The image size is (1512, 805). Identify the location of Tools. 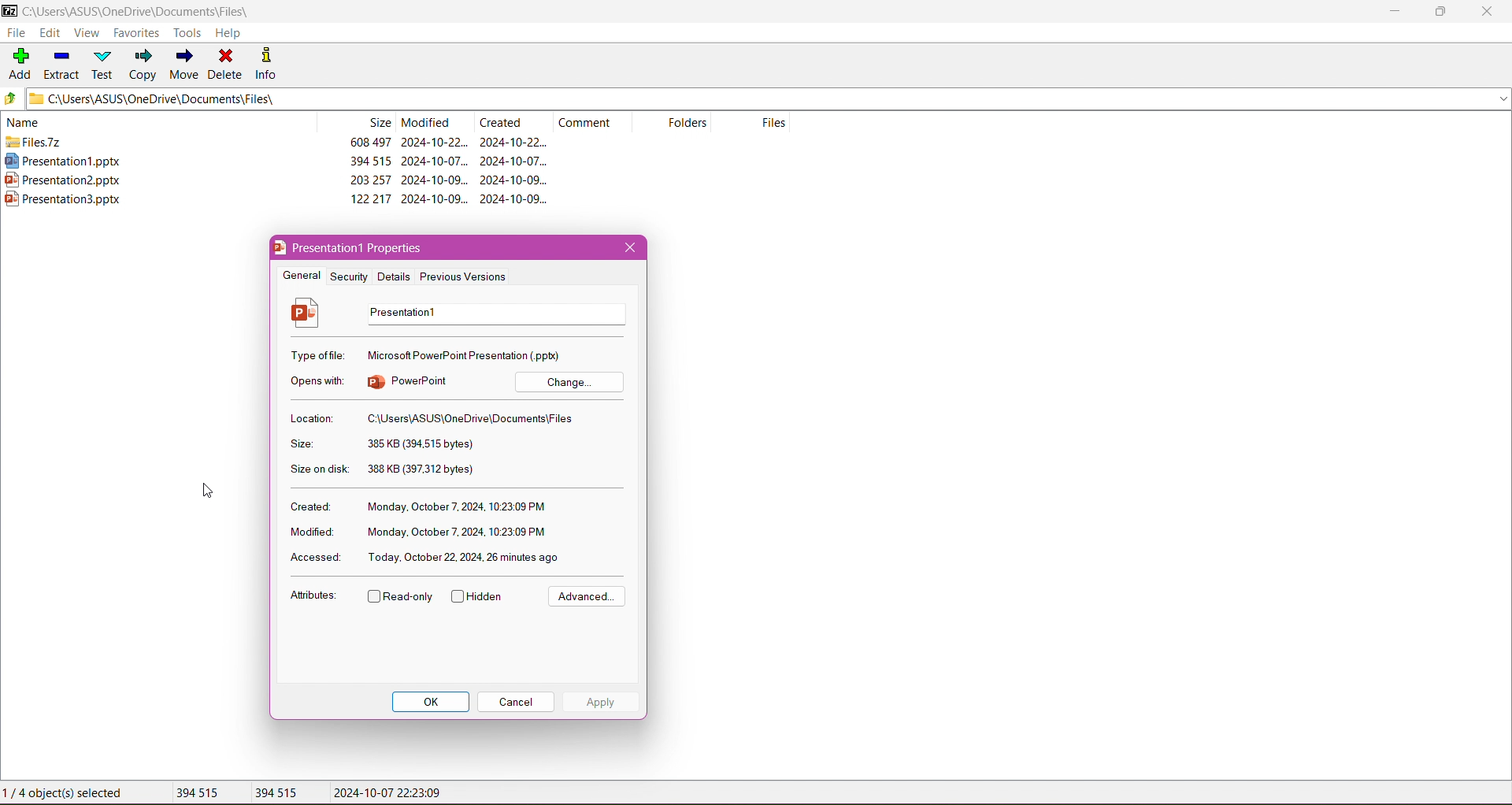
(187, 33).